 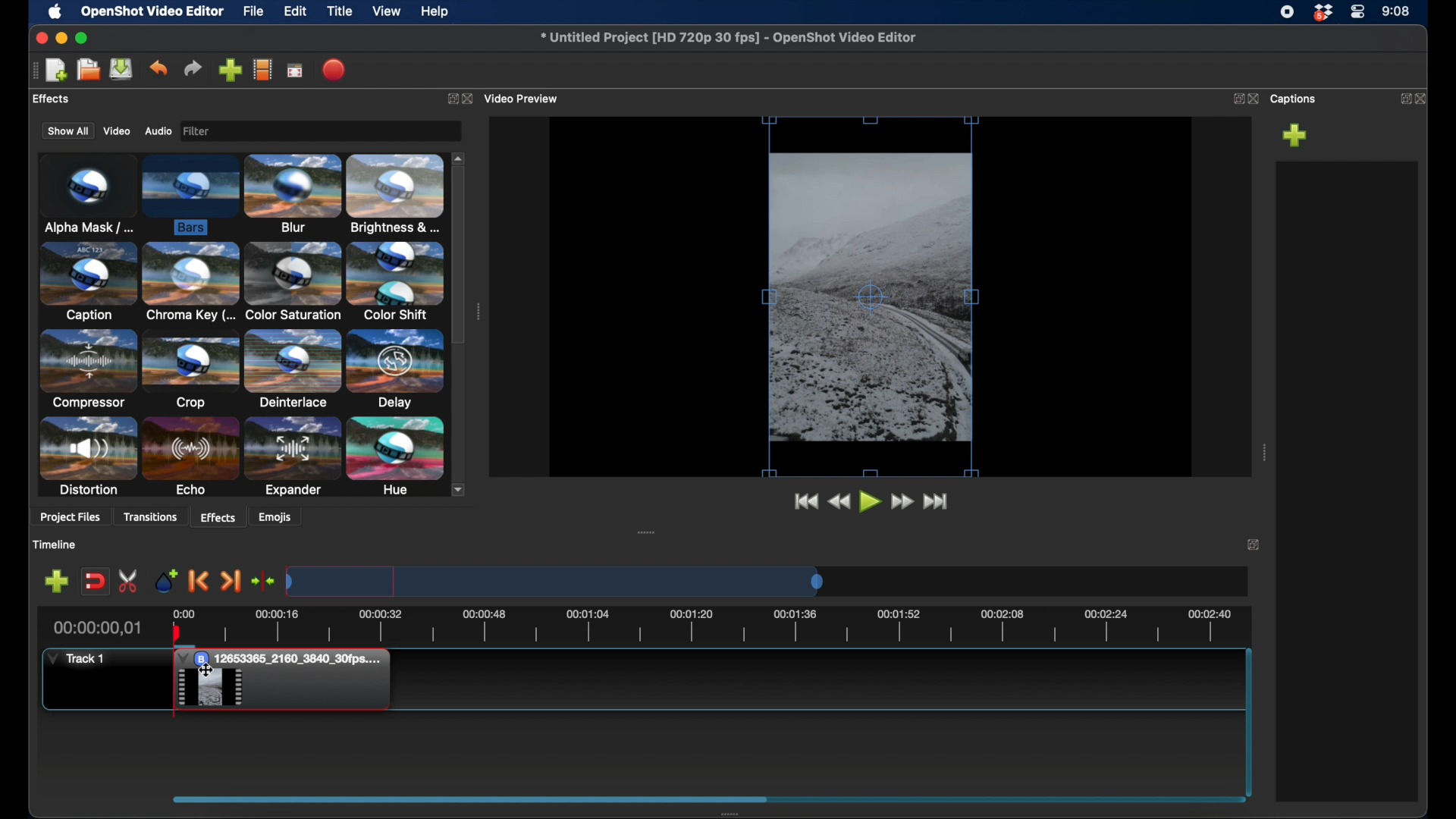 What do you see at coordinates (94, 582) in the screenshot?
I see `disable snapping` at bounding box center [94, 582].